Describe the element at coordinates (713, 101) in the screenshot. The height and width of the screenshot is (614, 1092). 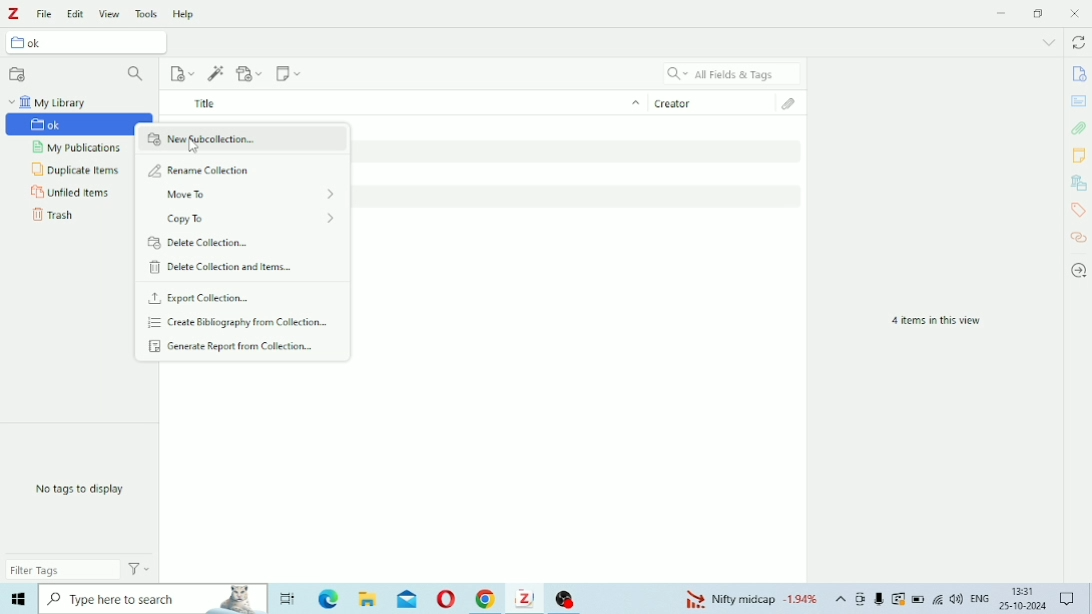
I see `Creator` at that location.